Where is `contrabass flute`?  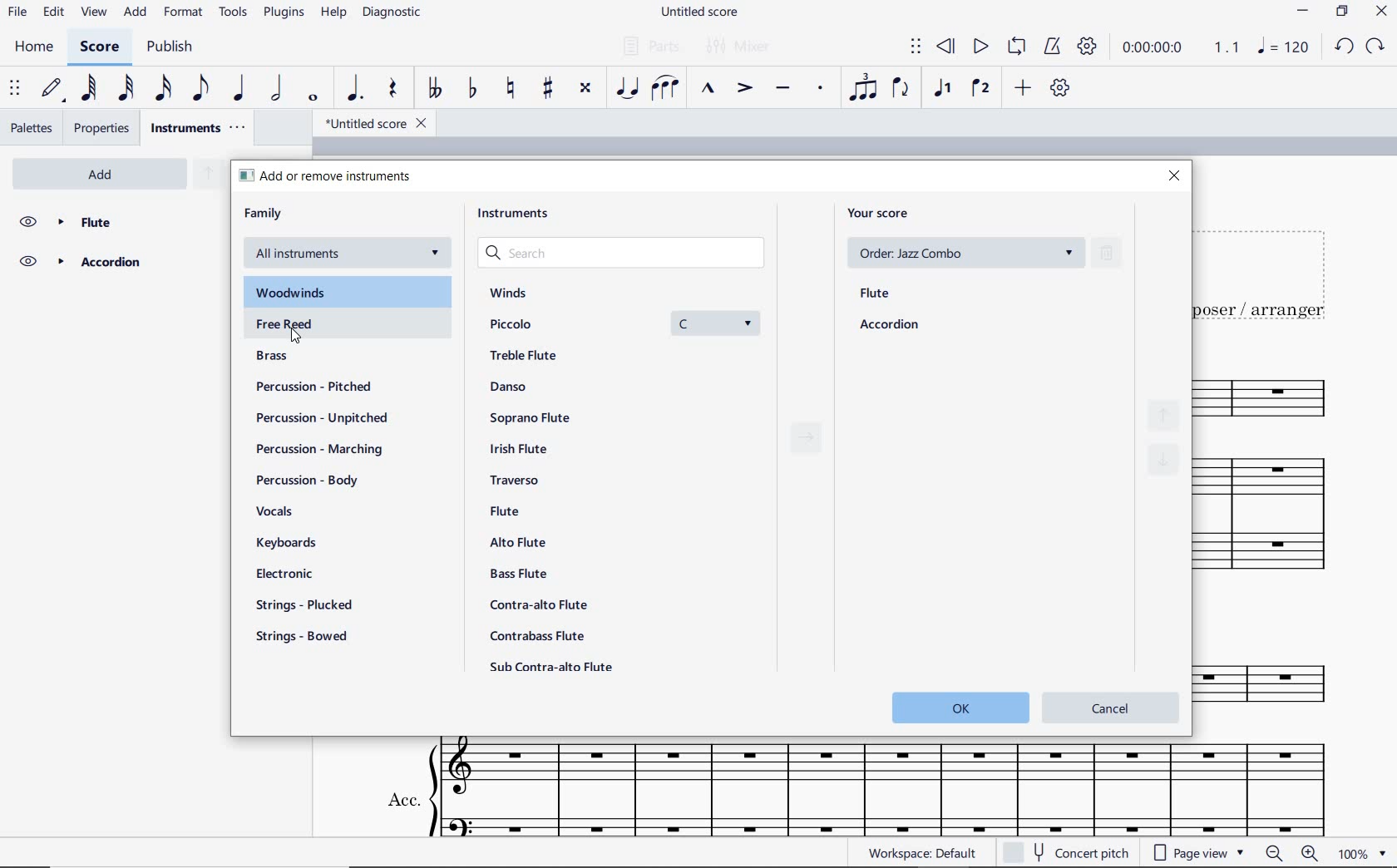 contrabass flute is located at coordinates (536, 637).